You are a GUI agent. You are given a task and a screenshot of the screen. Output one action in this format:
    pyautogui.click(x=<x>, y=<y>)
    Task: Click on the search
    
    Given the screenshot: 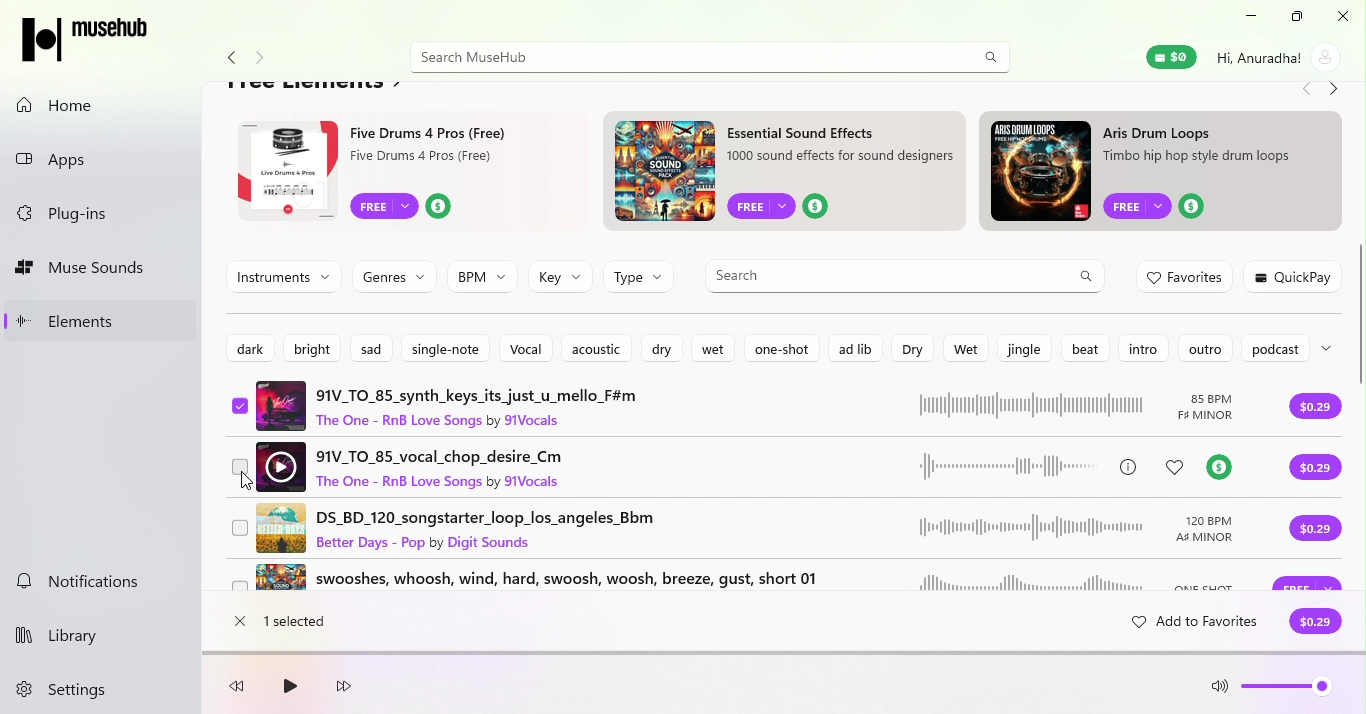 What is the action you would take?
    pyautogui.click(x=991, y=56)
    